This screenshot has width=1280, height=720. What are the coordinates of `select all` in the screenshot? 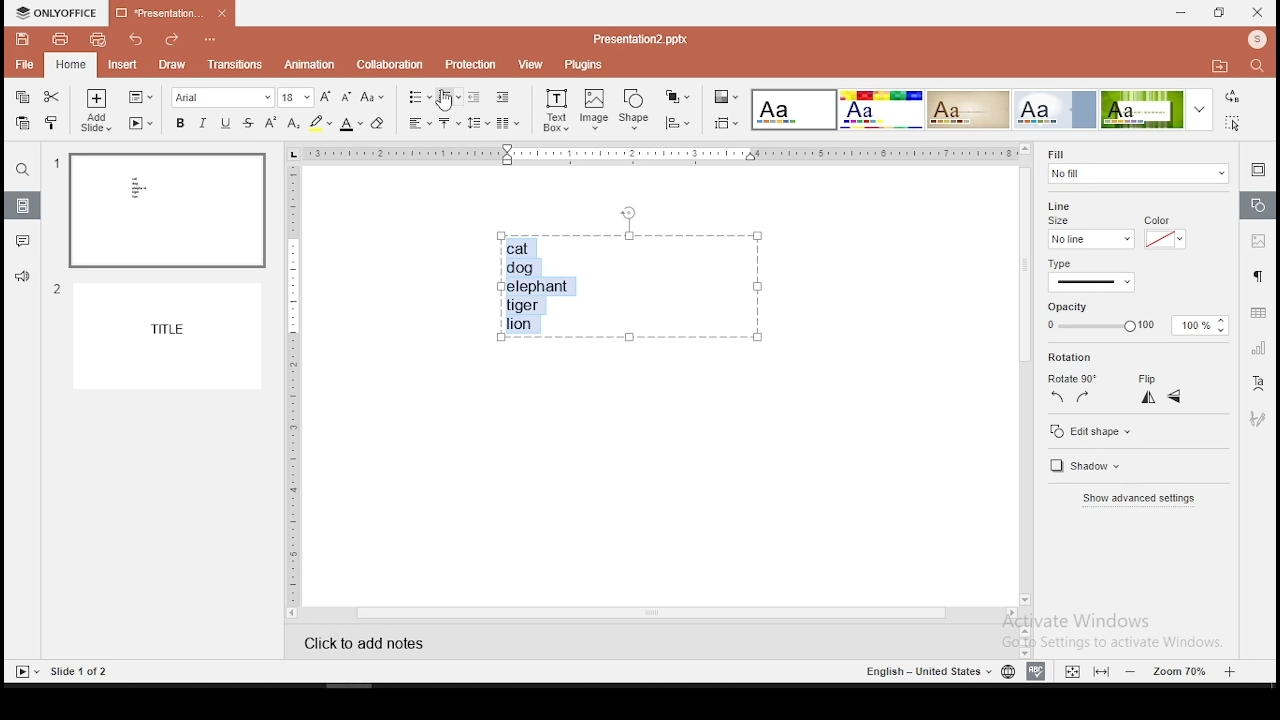 It's located at (1234, 125).